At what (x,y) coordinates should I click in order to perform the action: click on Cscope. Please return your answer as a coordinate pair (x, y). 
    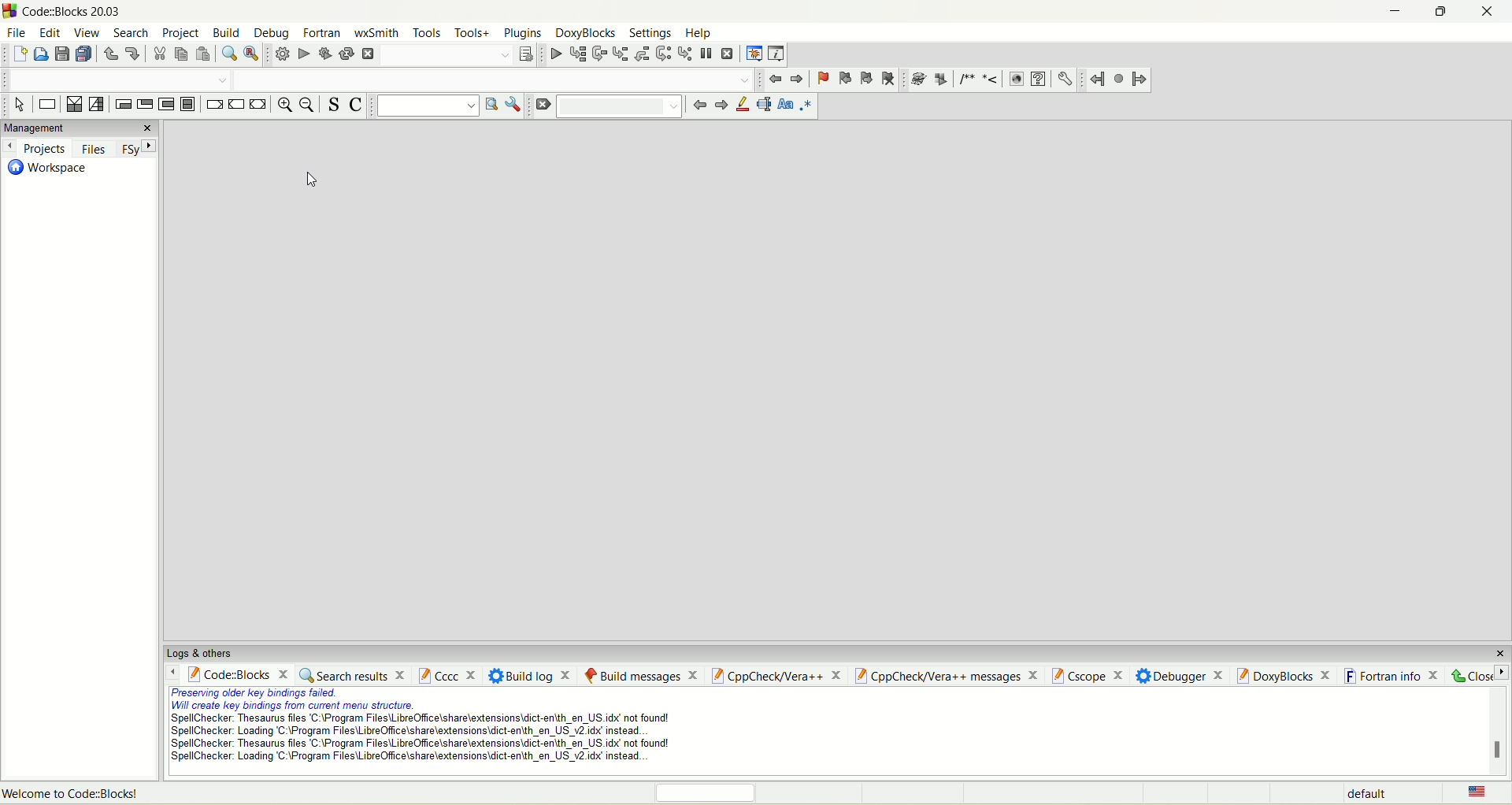
    Looking at the image, I should click on (1086, 673).